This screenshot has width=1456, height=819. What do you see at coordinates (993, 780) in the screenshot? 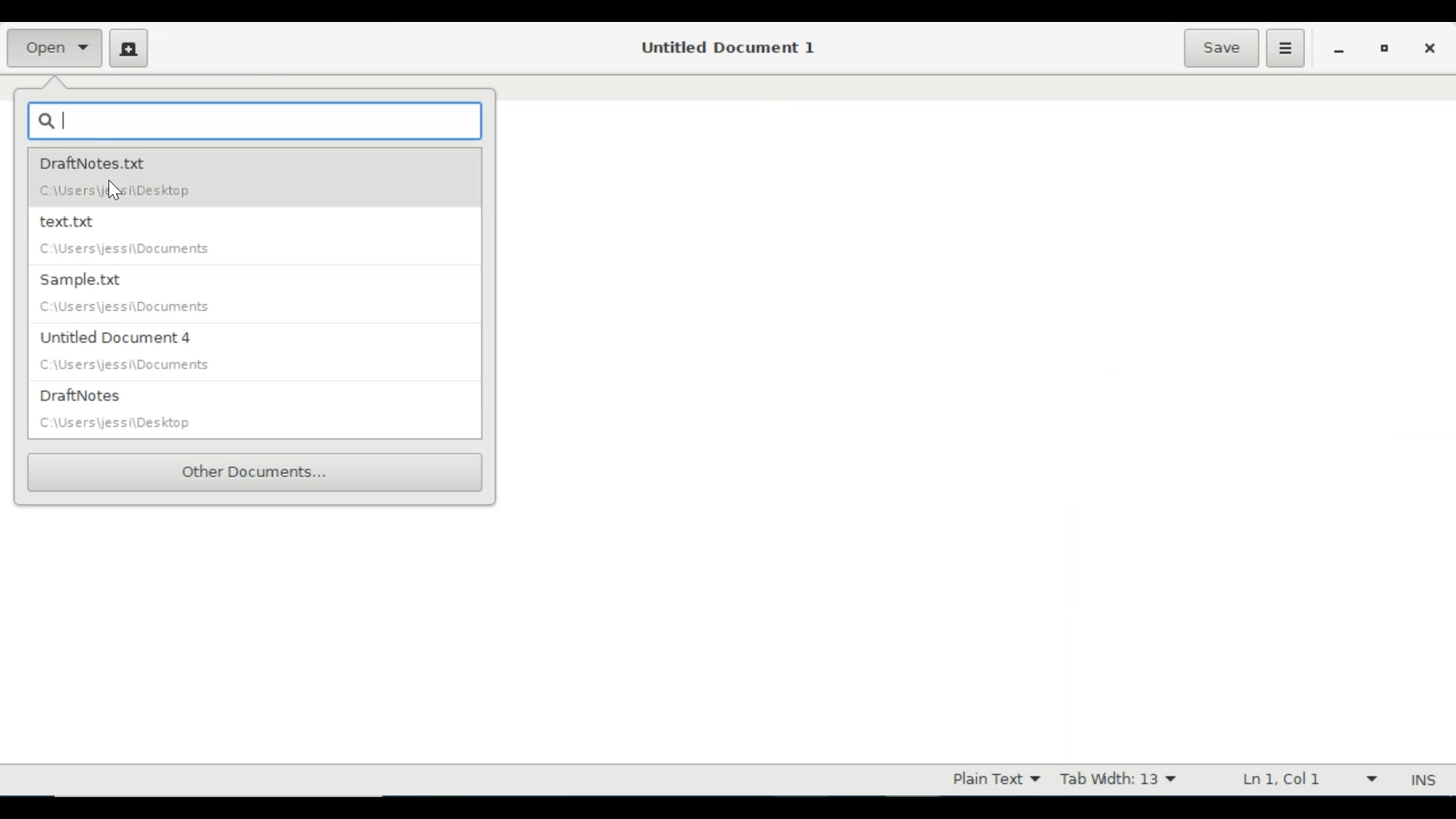
I see `File type` at bounding box center [993, 780].